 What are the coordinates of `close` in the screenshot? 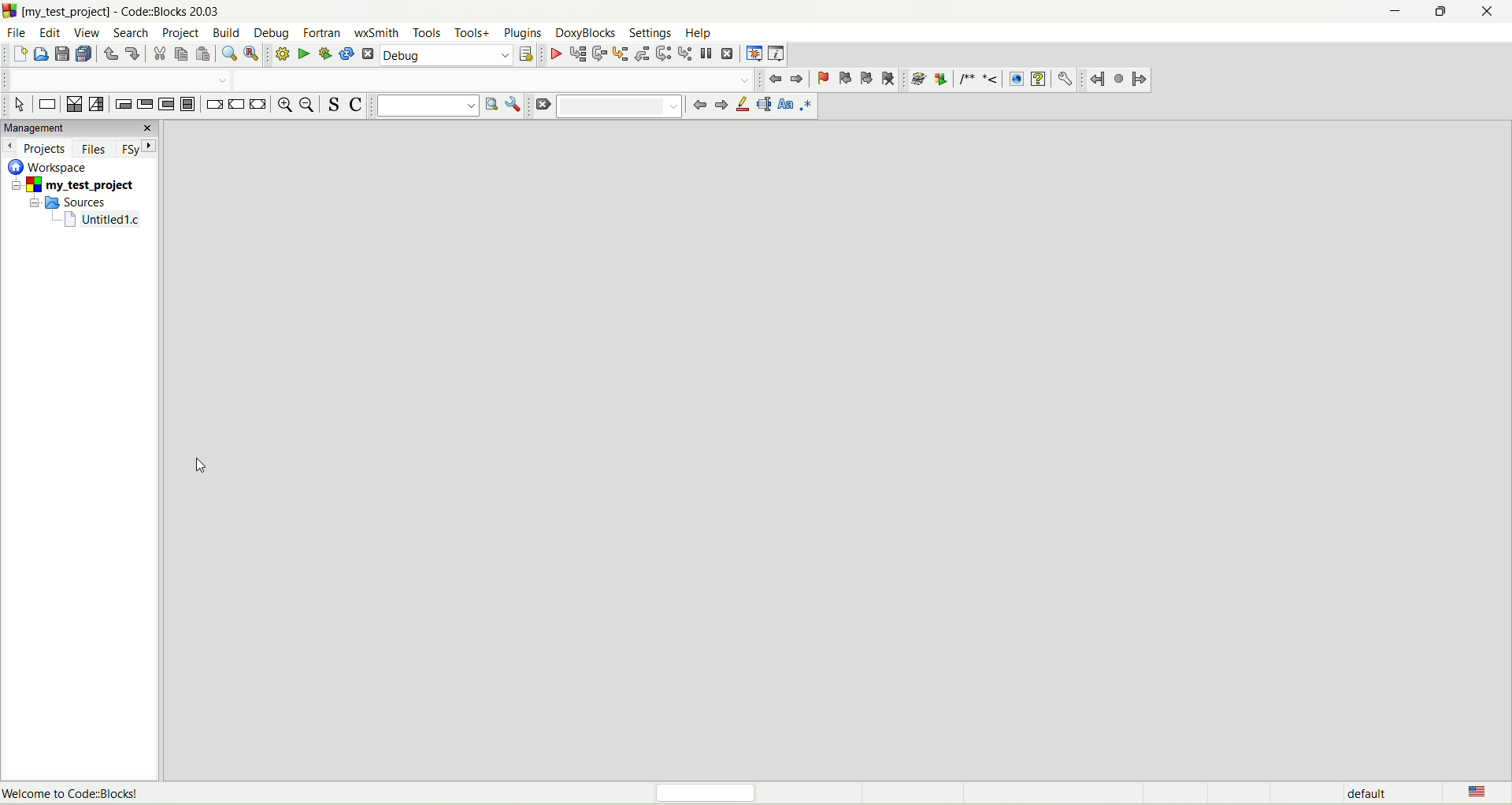 It's located at (1494, 9).